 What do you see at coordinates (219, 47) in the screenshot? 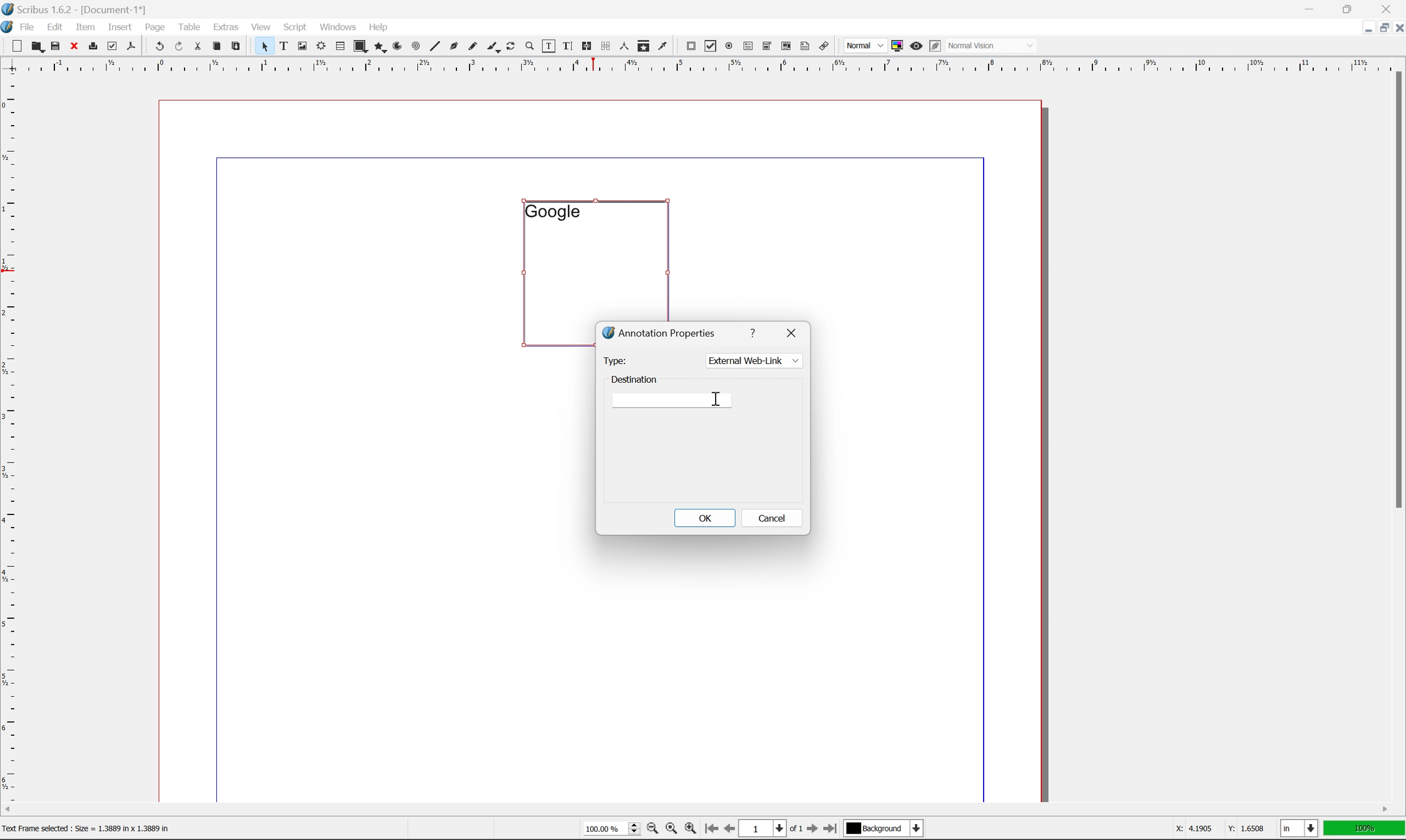
I see `copy` at bounding box center [219, 47].